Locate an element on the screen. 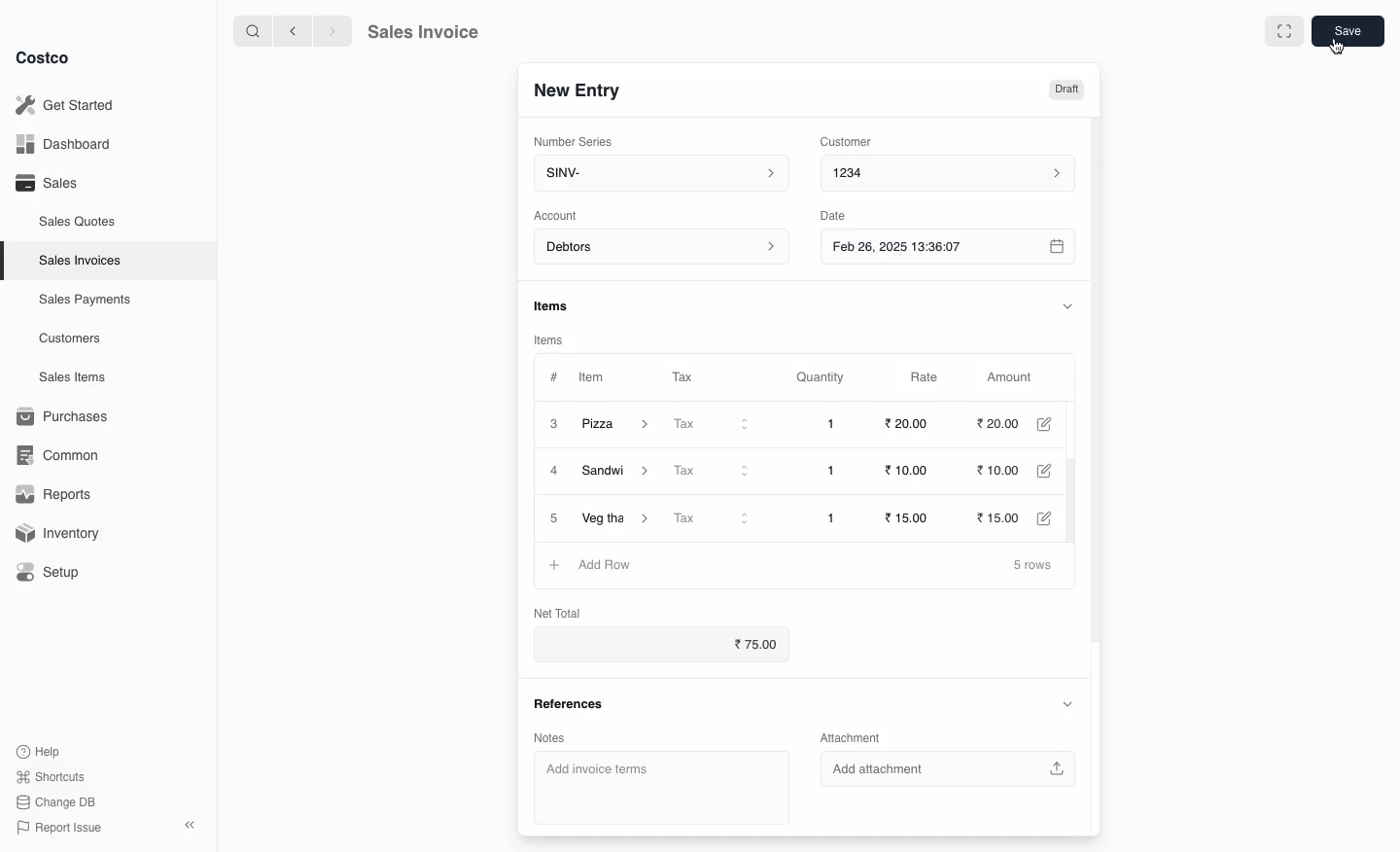  Report Issue is located at coordinates (55, 828).